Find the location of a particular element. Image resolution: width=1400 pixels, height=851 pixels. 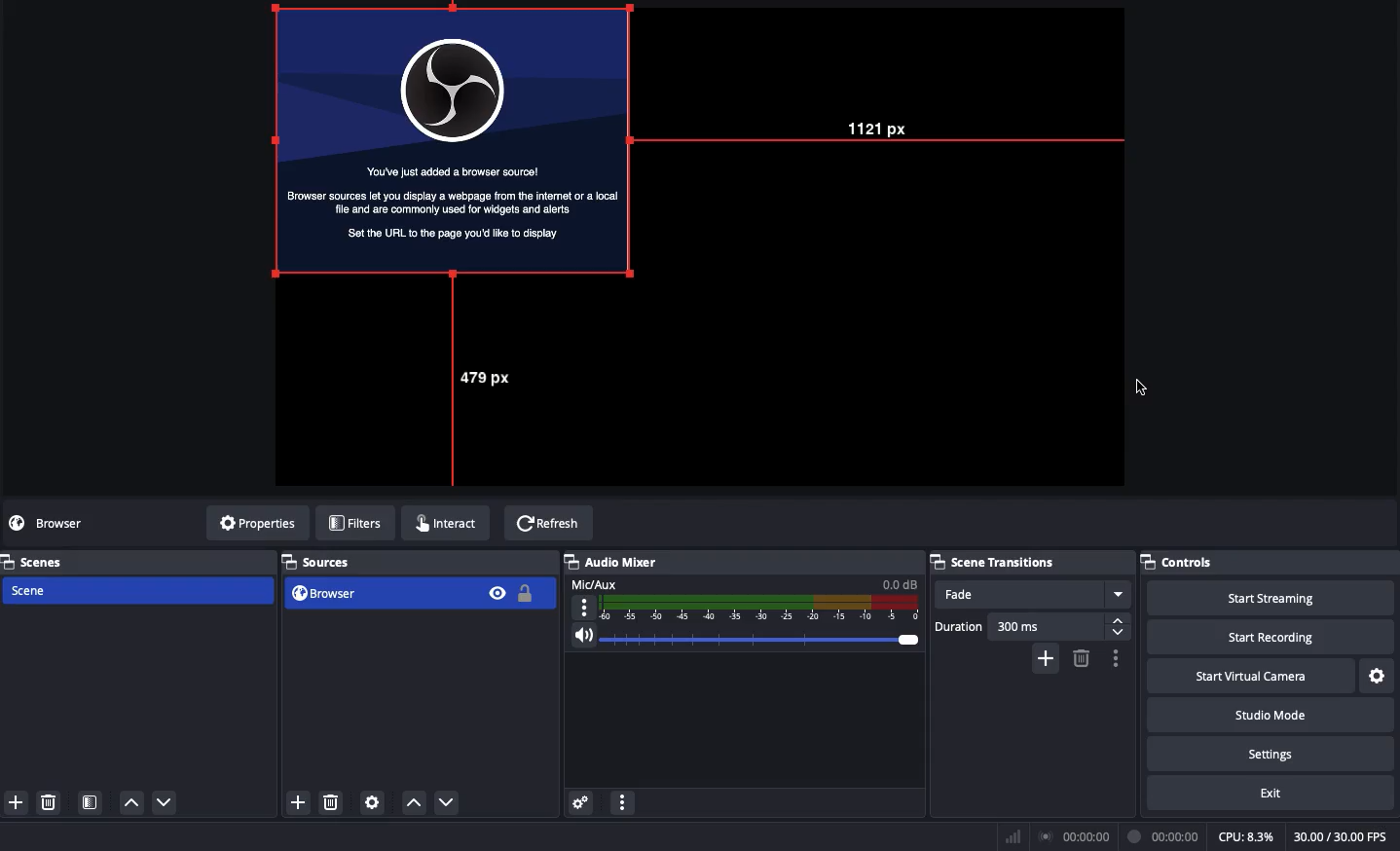

Source preference is located at coordinates (373, 801).